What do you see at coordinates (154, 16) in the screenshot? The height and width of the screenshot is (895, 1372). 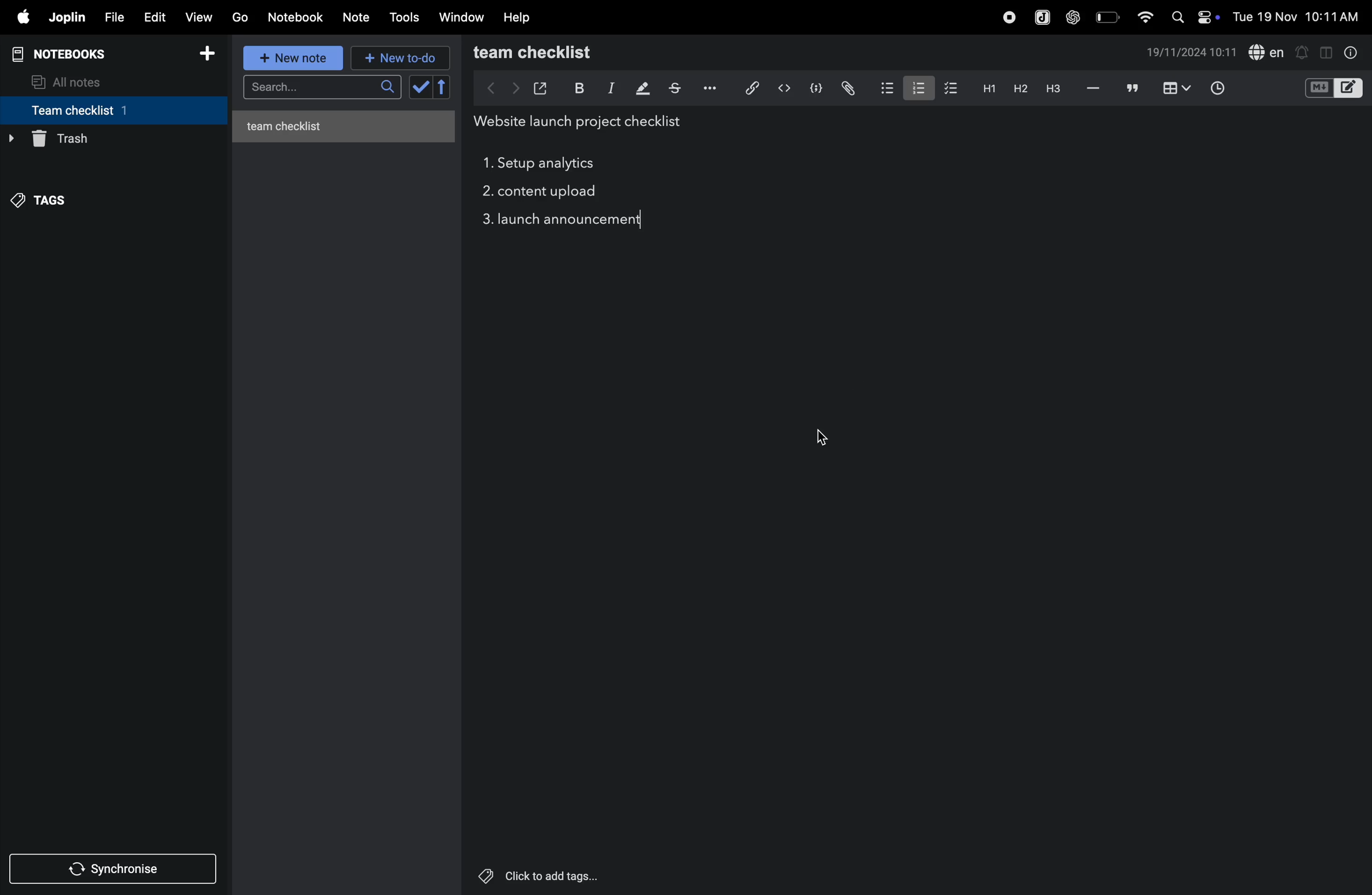 I see `edit` at bounding box center [154, 16].